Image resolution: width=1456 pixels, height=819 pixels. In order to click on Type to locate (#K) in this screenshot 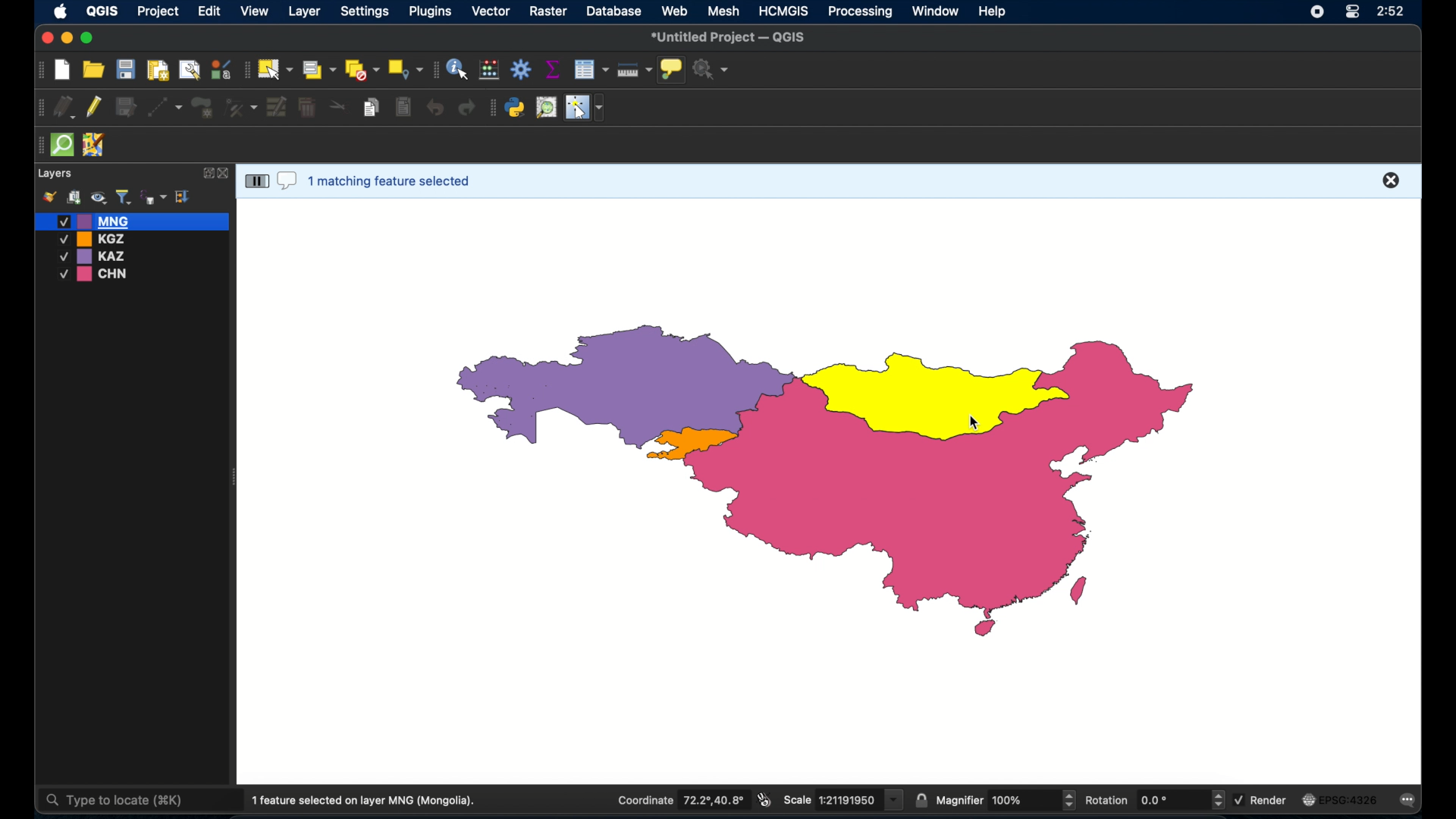, I will do `click(127, 802)`.